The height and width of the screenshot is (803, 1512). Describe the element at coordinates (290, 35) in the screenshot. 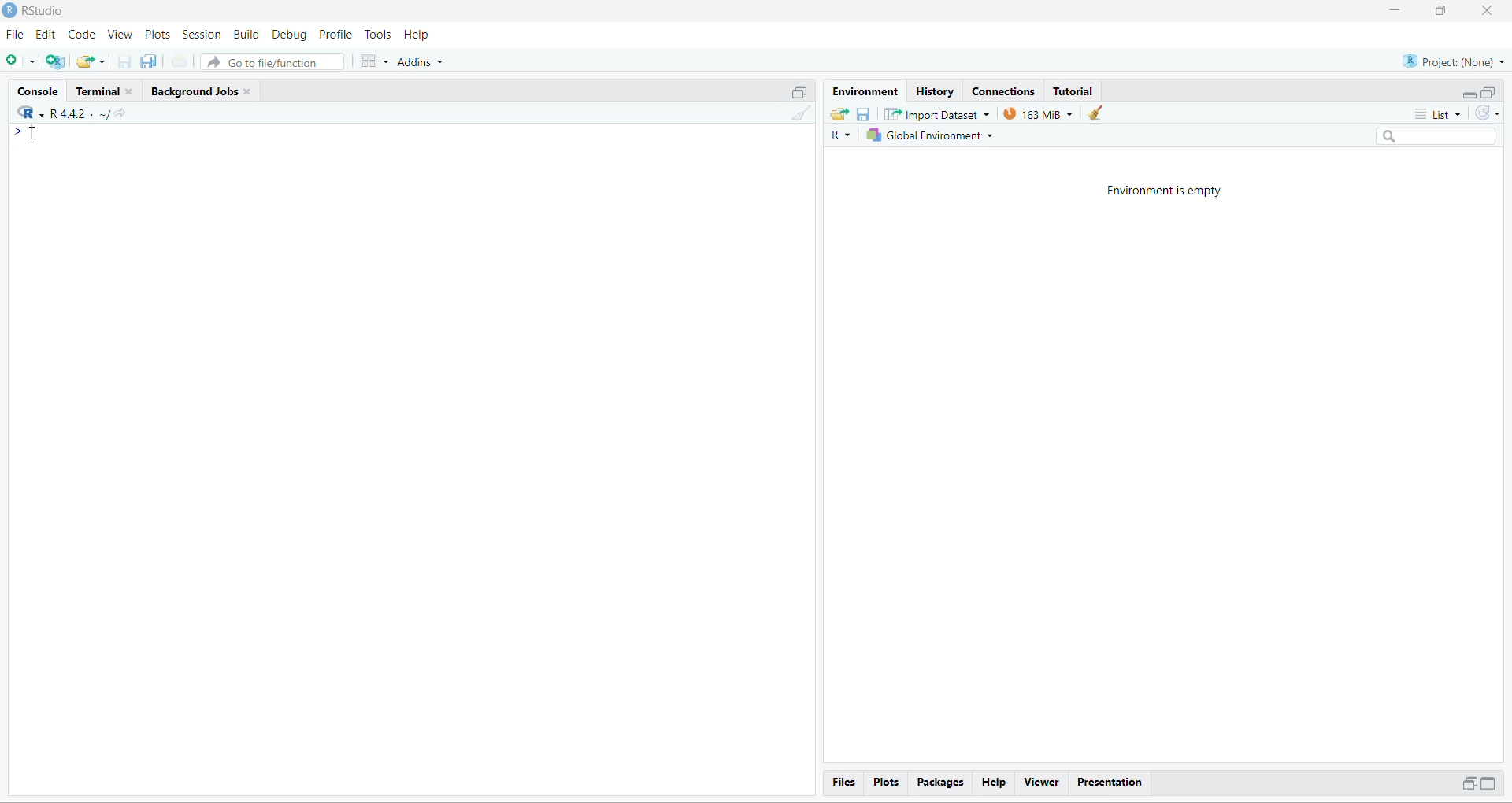

I see `Debug` at that location.